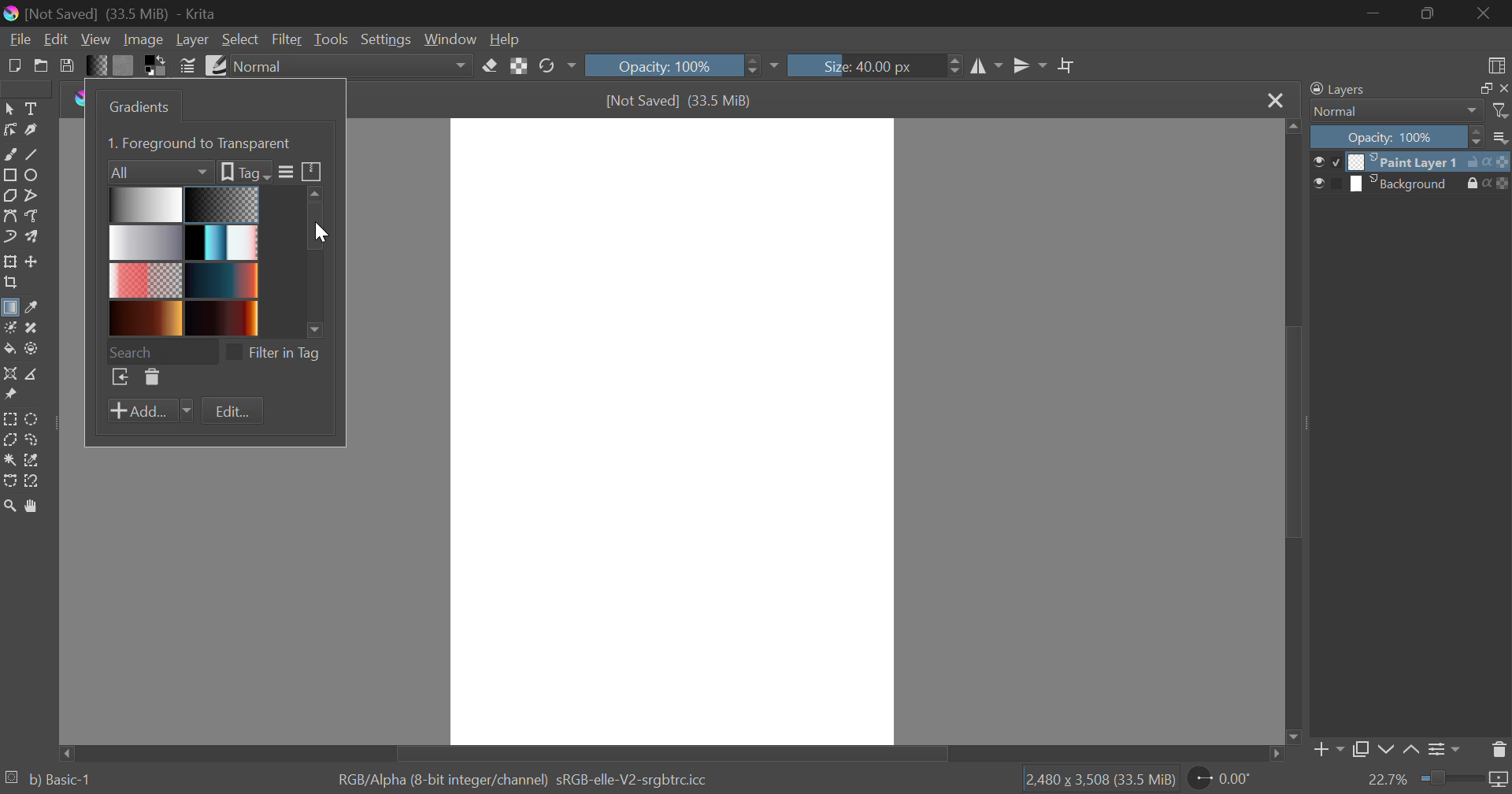 The width and height of the screenshot is (1512, 794). Describe the element at coordinates (278, 351) in the screenshot. I see `Filter in Tag` at that location.